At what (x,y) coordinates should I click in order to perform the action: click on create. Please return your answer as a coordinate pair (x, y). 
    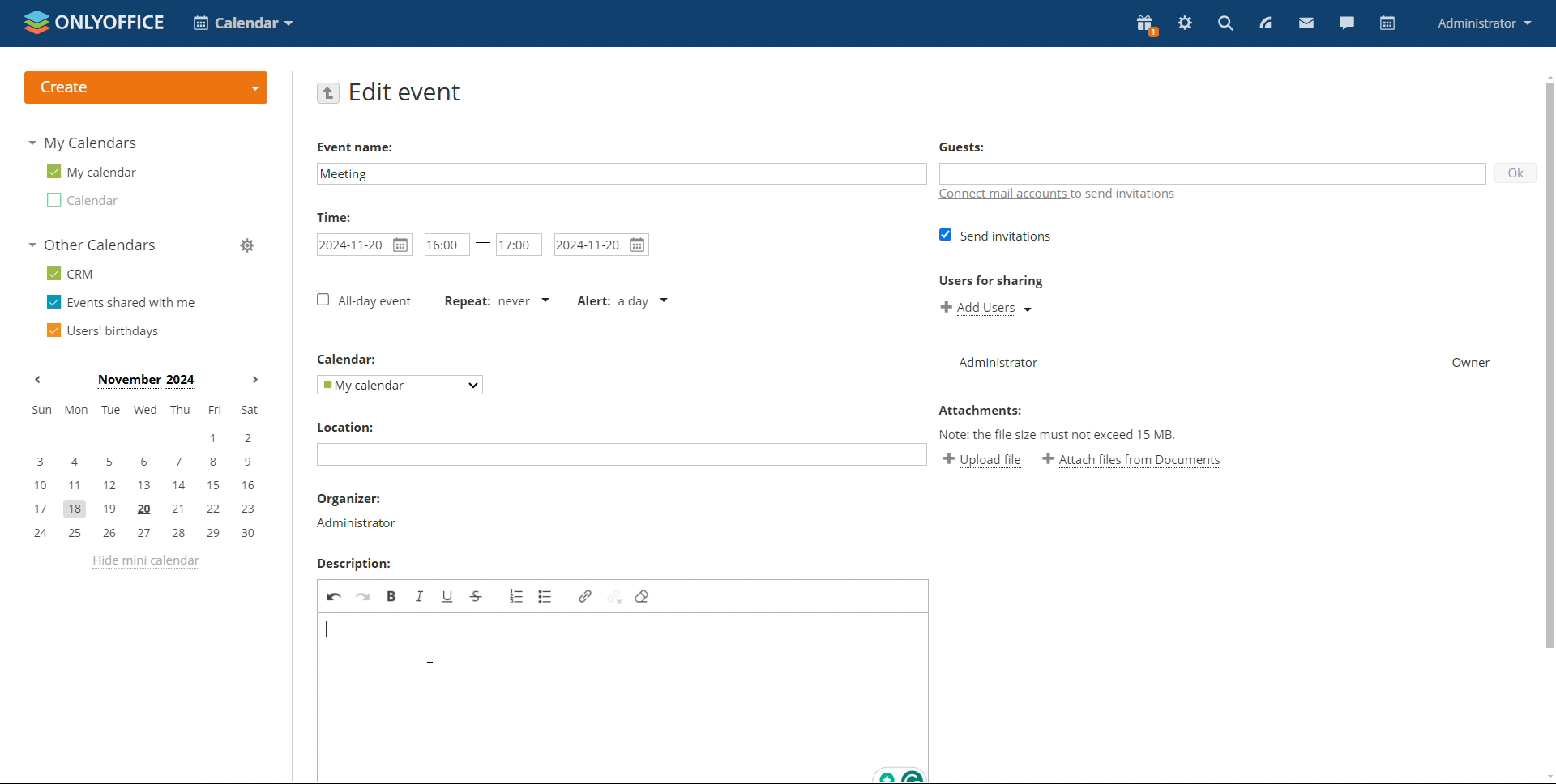
    Looking at the image, I should click on (147, 88).